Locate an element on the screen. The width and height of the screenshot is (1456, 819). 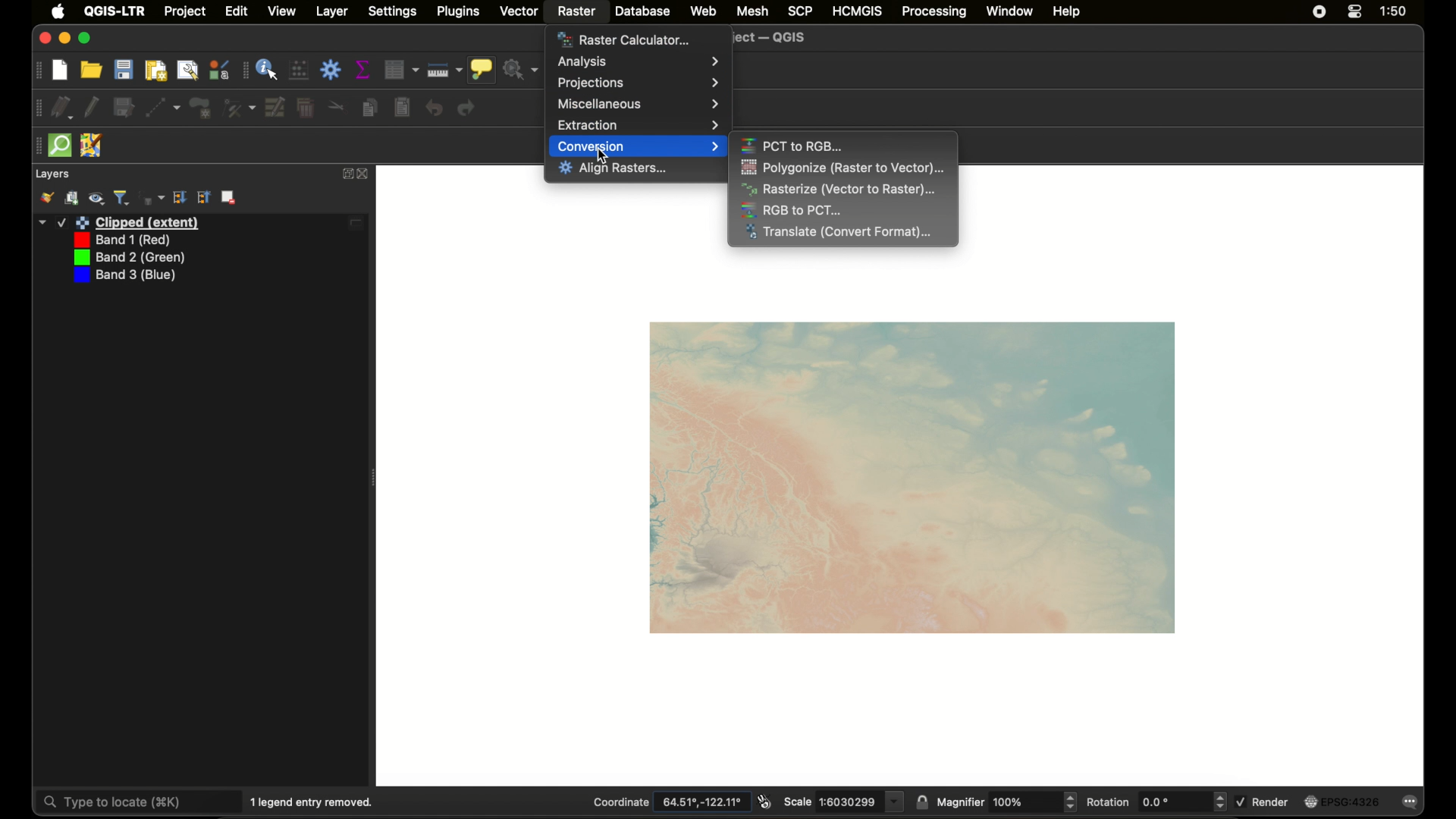
show layout manager is located at coordinates (188, 71).